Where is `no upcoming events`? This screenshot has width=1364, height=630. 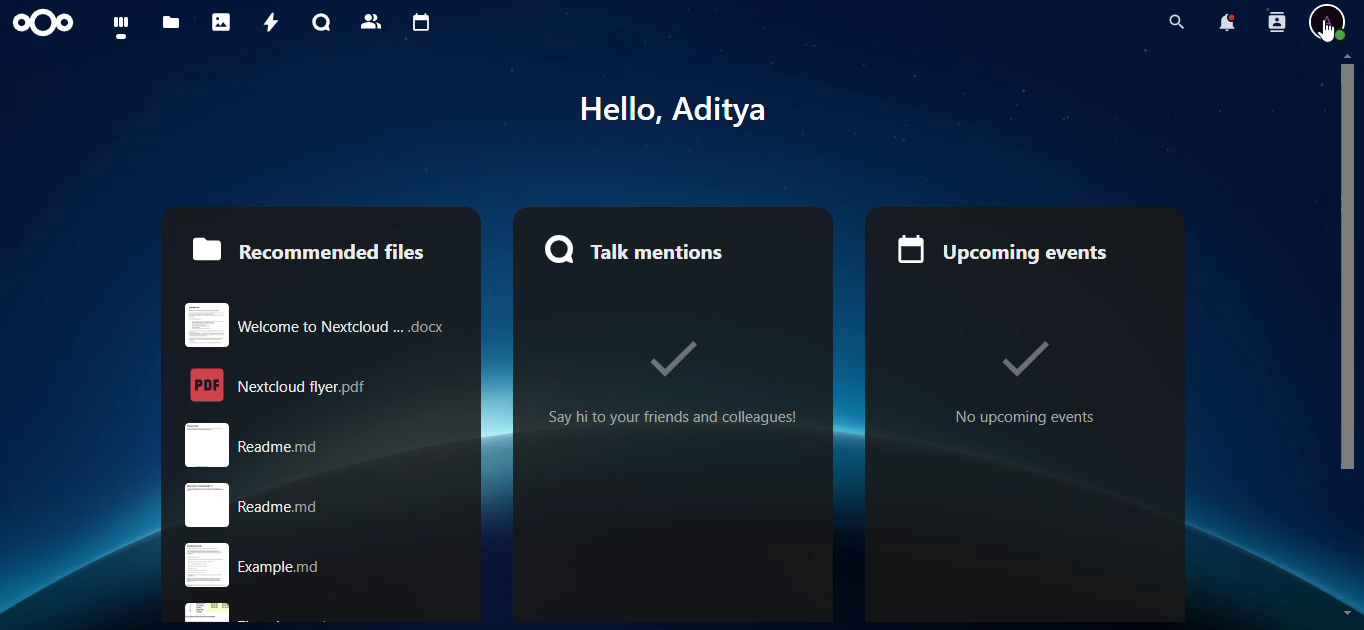 no upcoming events is located at coordinates (1022, 378).